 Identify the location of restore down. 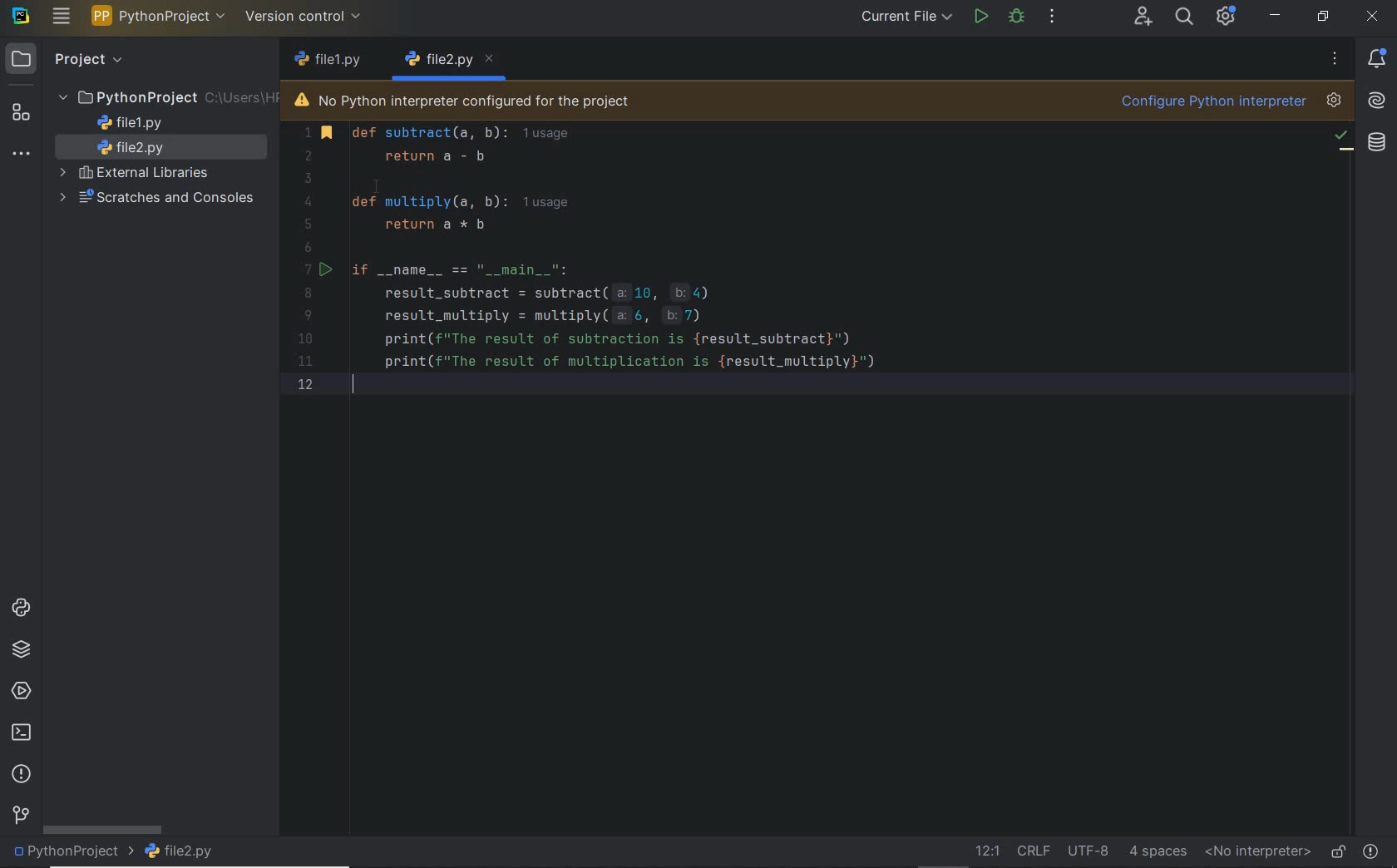
(1321, 16).